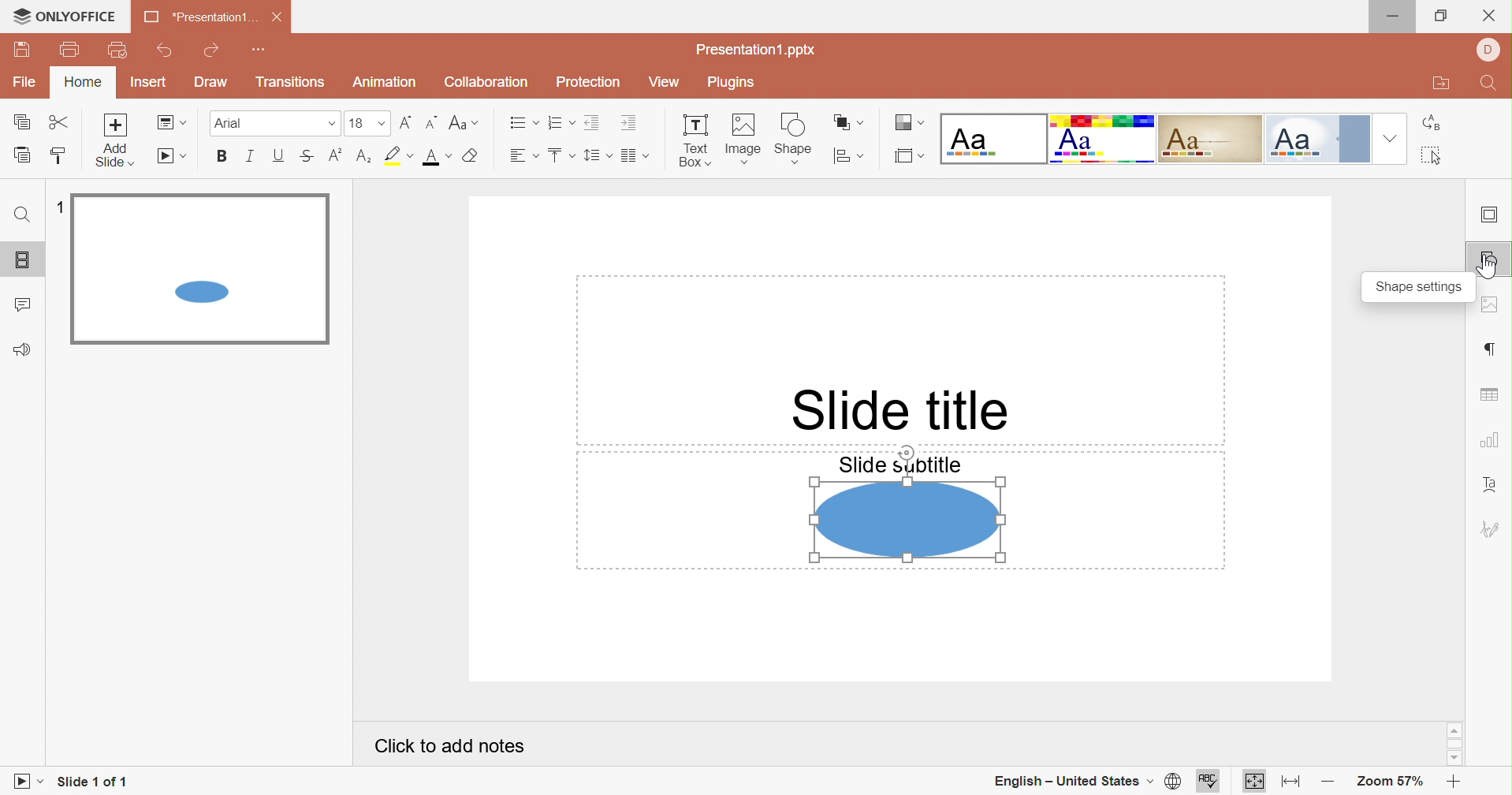 The width and height of the screenshot is (1512, 795). I want to click on Insert columns, so click(636, 156).